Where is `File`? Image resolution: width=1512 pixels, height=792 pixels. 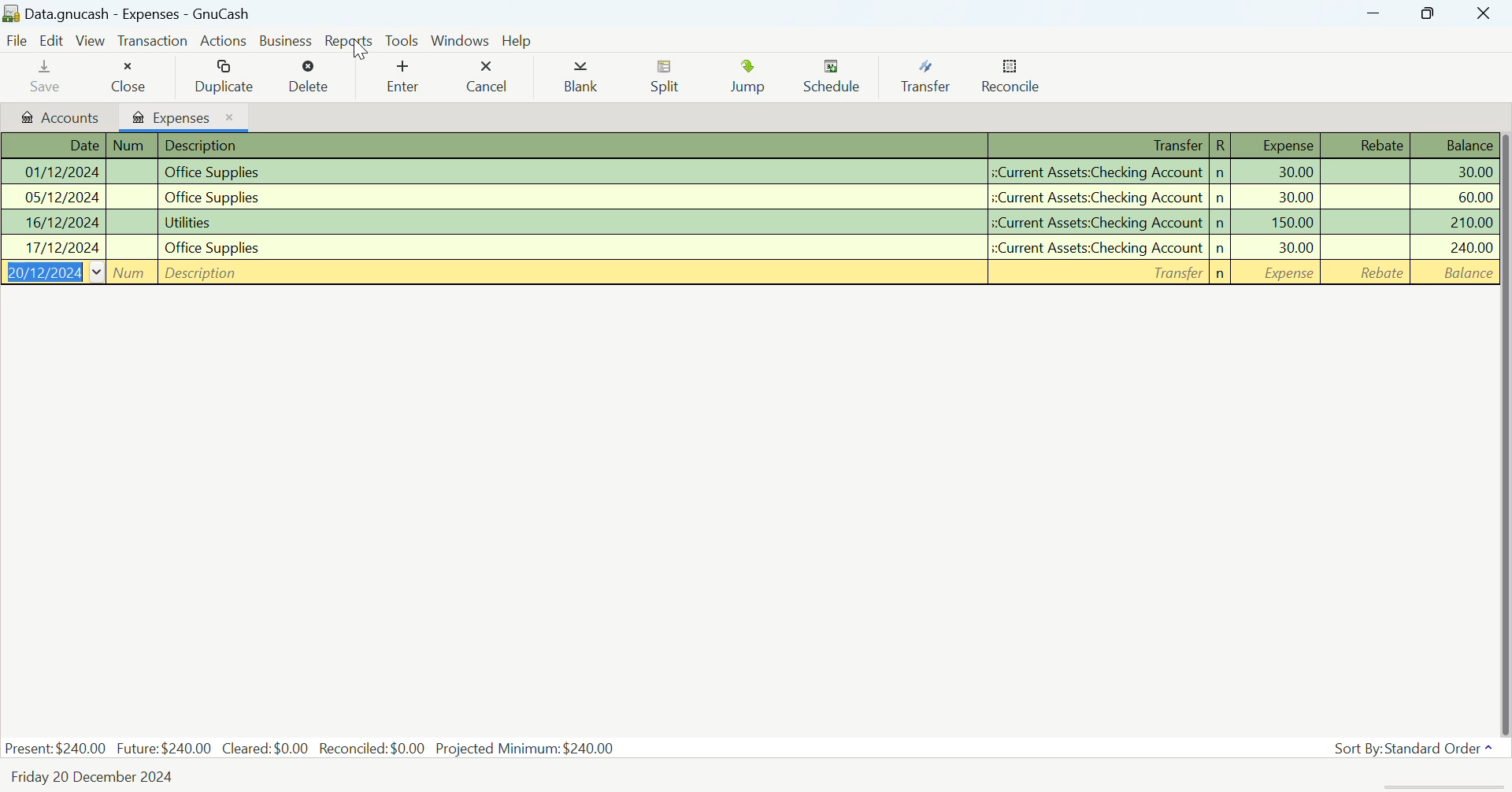 File is located at coordinates (18, 39).